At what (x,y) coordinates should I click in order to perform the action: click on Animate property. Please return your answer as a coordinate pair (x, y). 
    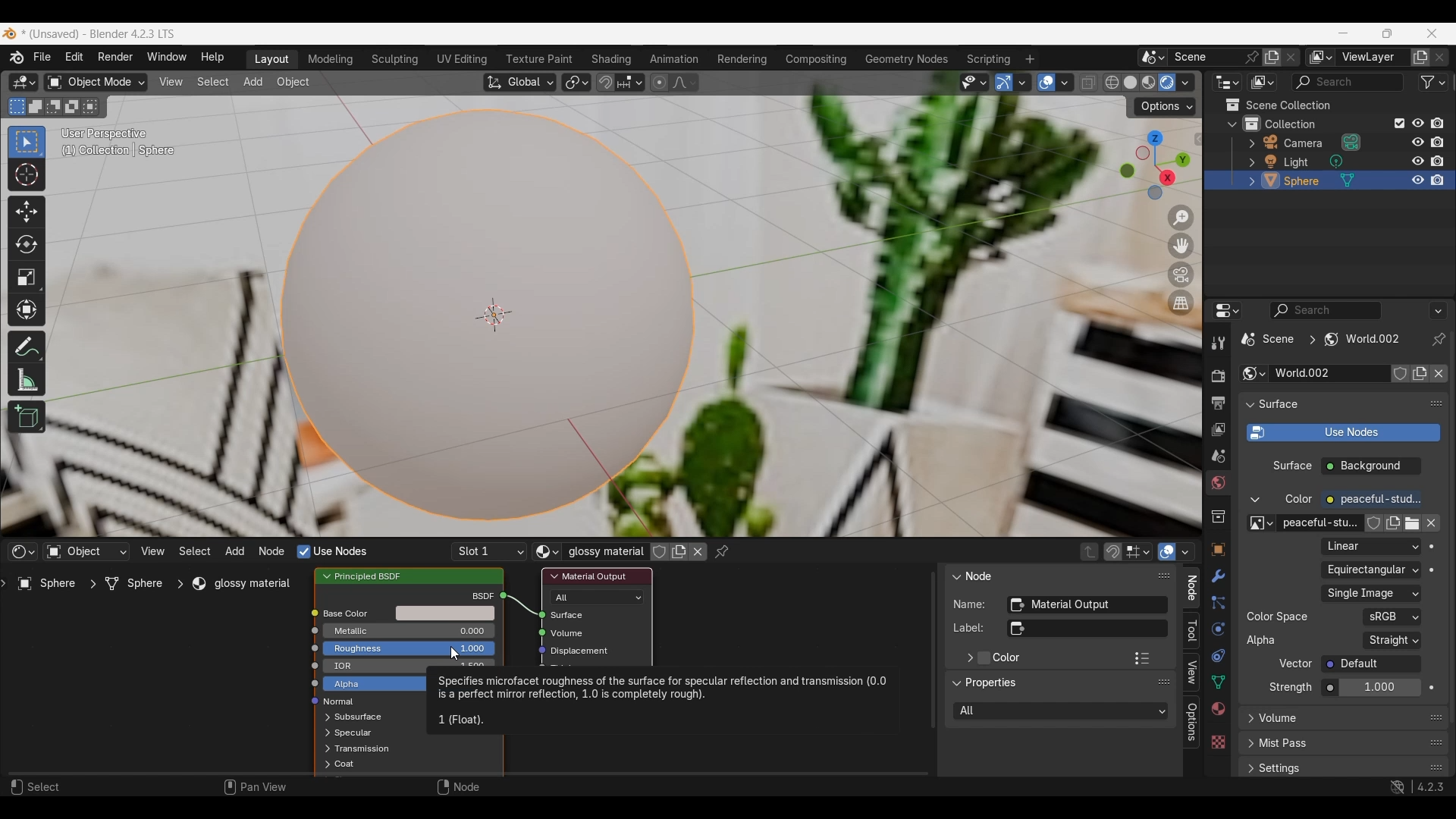
    Looking at the image, I should click on (1432, 688).